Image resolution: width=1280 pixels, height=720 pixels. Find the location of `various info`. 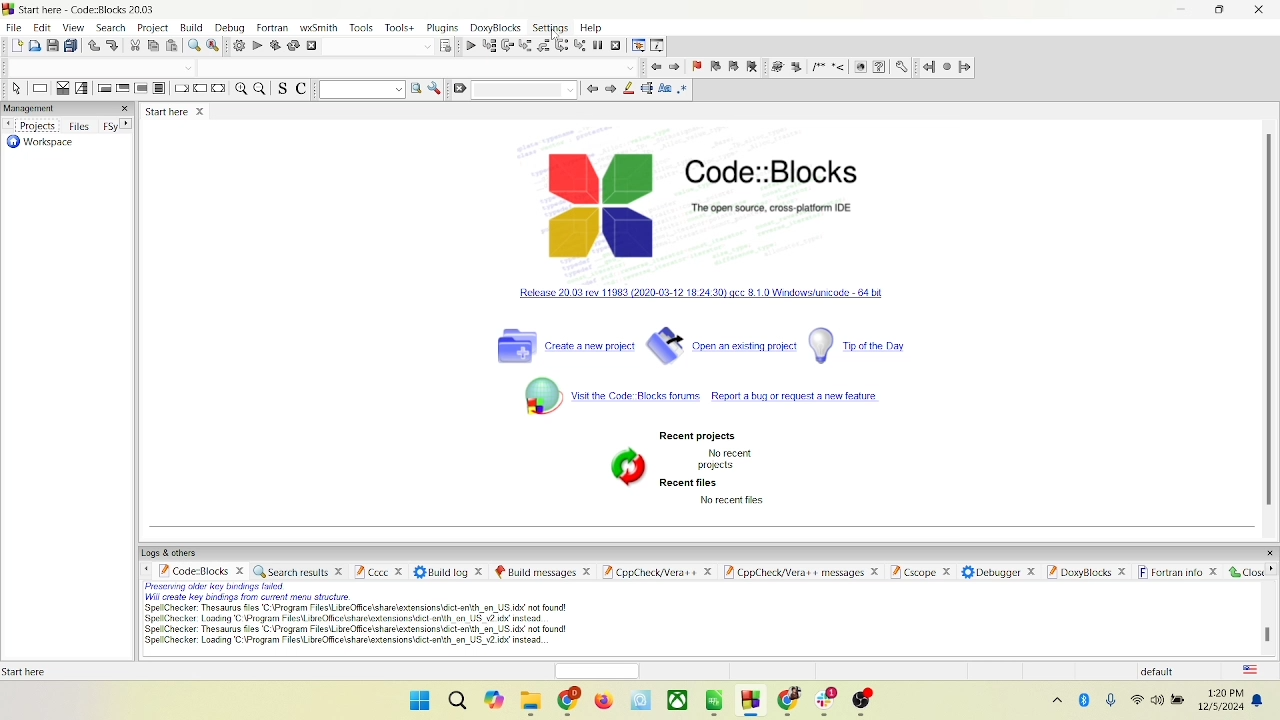

various info is located at coordinates (658, 45).